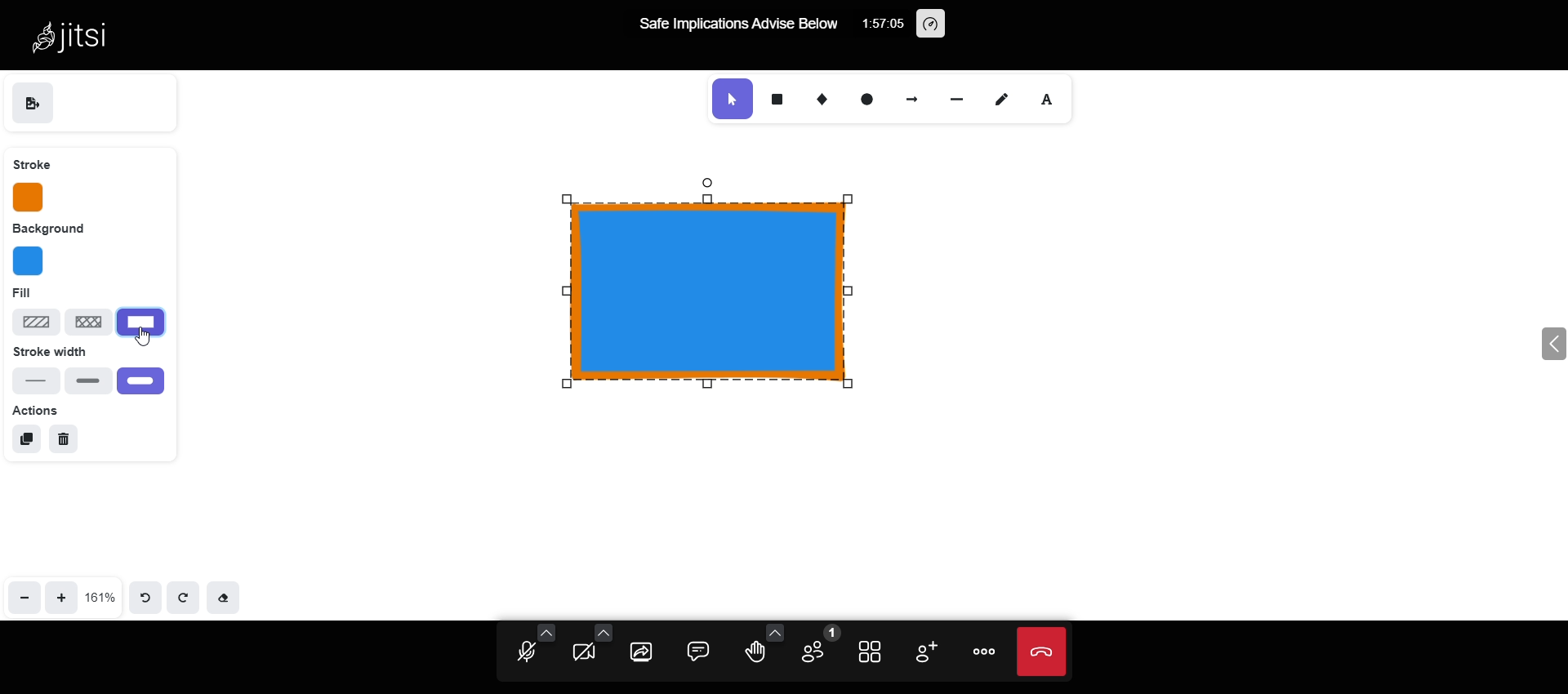 This screenshot has height=694, width=1568. Describe the element at coordinates (146, 323) in the screenshot. I see `selected fill type` at that location.